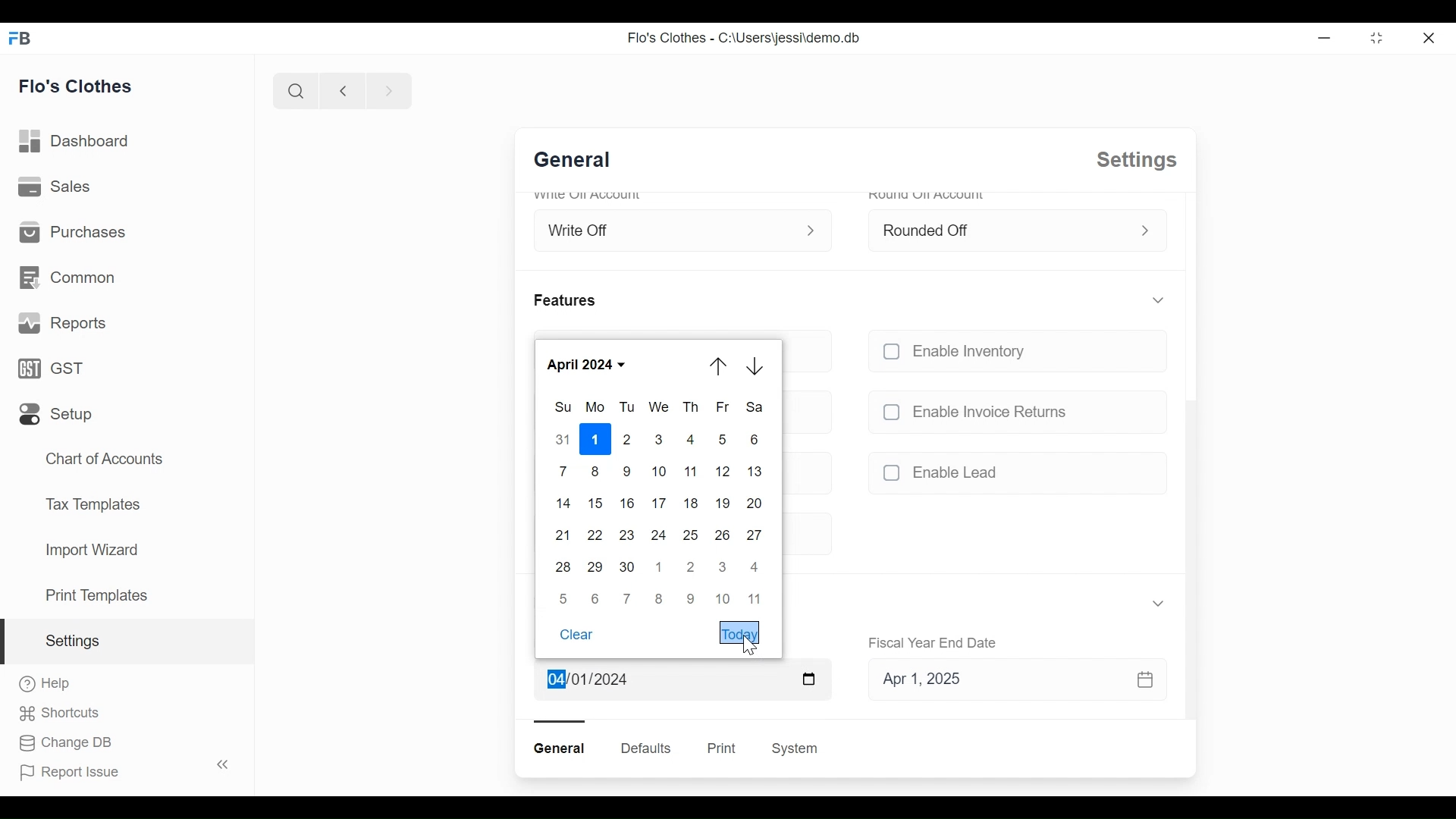 The width and height of the screenshot is (1456, 819). I want to click on 21, so click(563, 535).